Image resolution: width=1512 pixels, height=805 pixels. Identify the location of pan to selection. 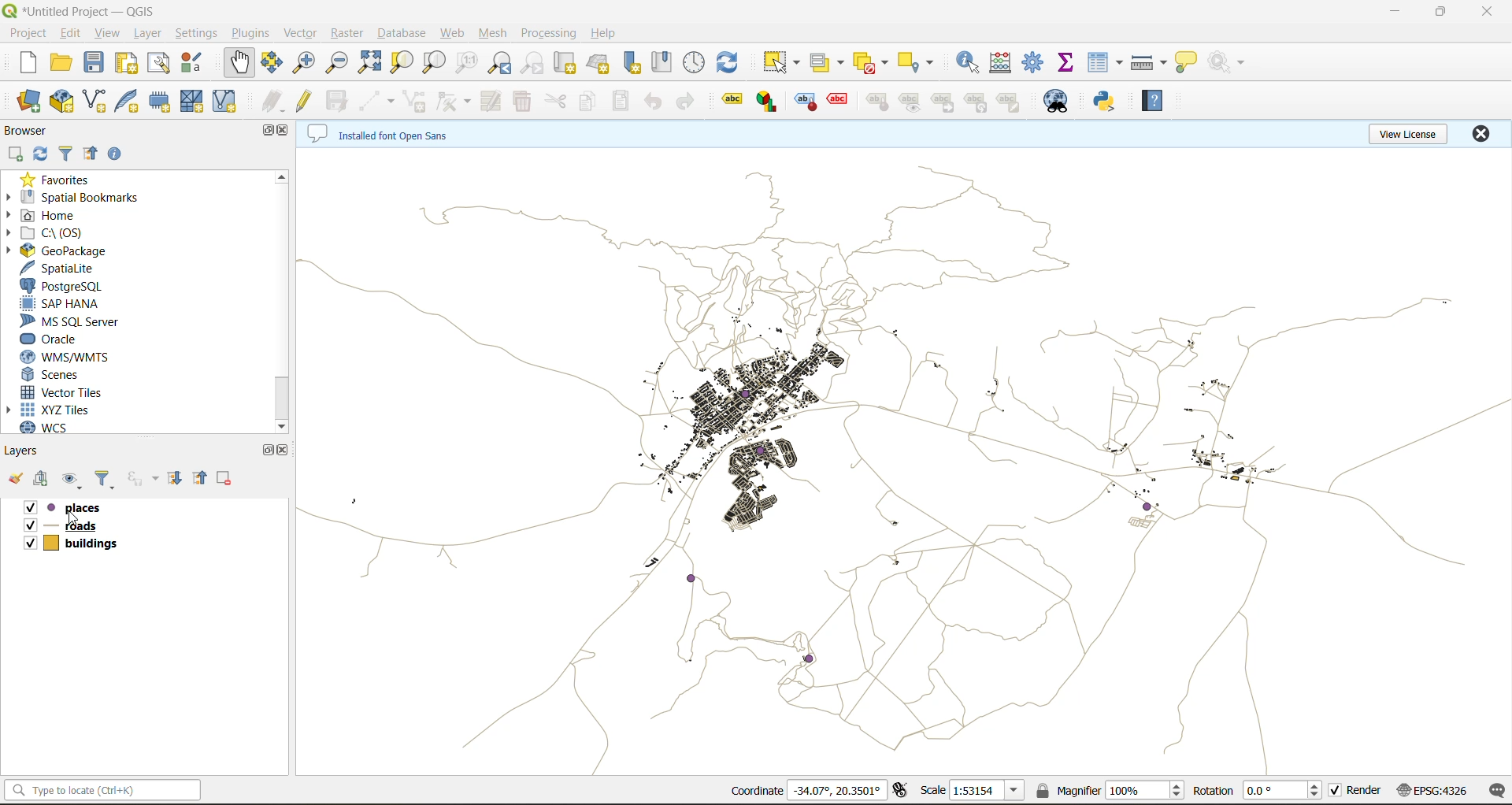
(273, 65).